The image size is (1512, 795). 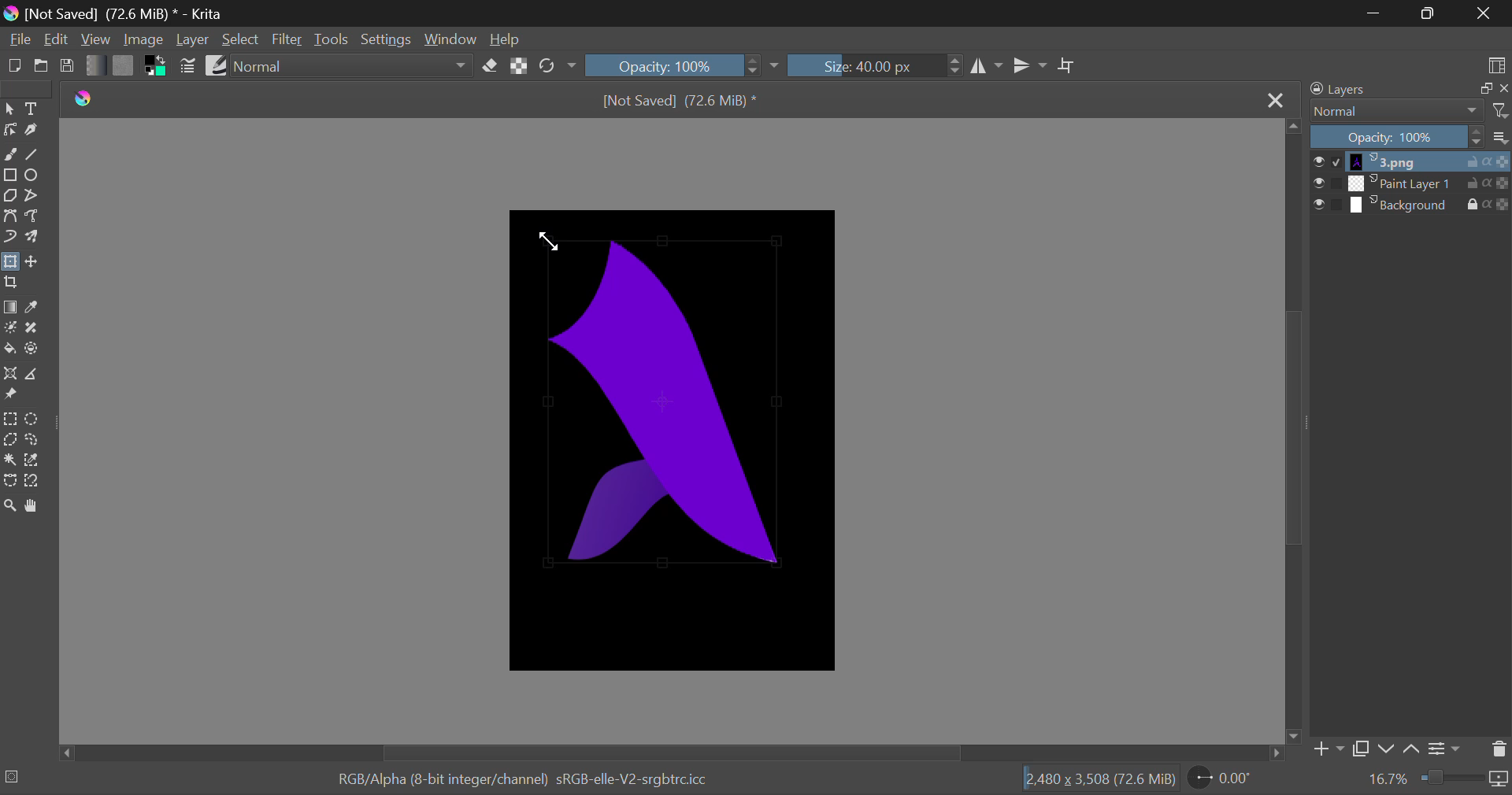 What do you see at coordinates (1495, 749) in the screenshot?
I see `Delete Layer` at bounding box center [1495, 749].